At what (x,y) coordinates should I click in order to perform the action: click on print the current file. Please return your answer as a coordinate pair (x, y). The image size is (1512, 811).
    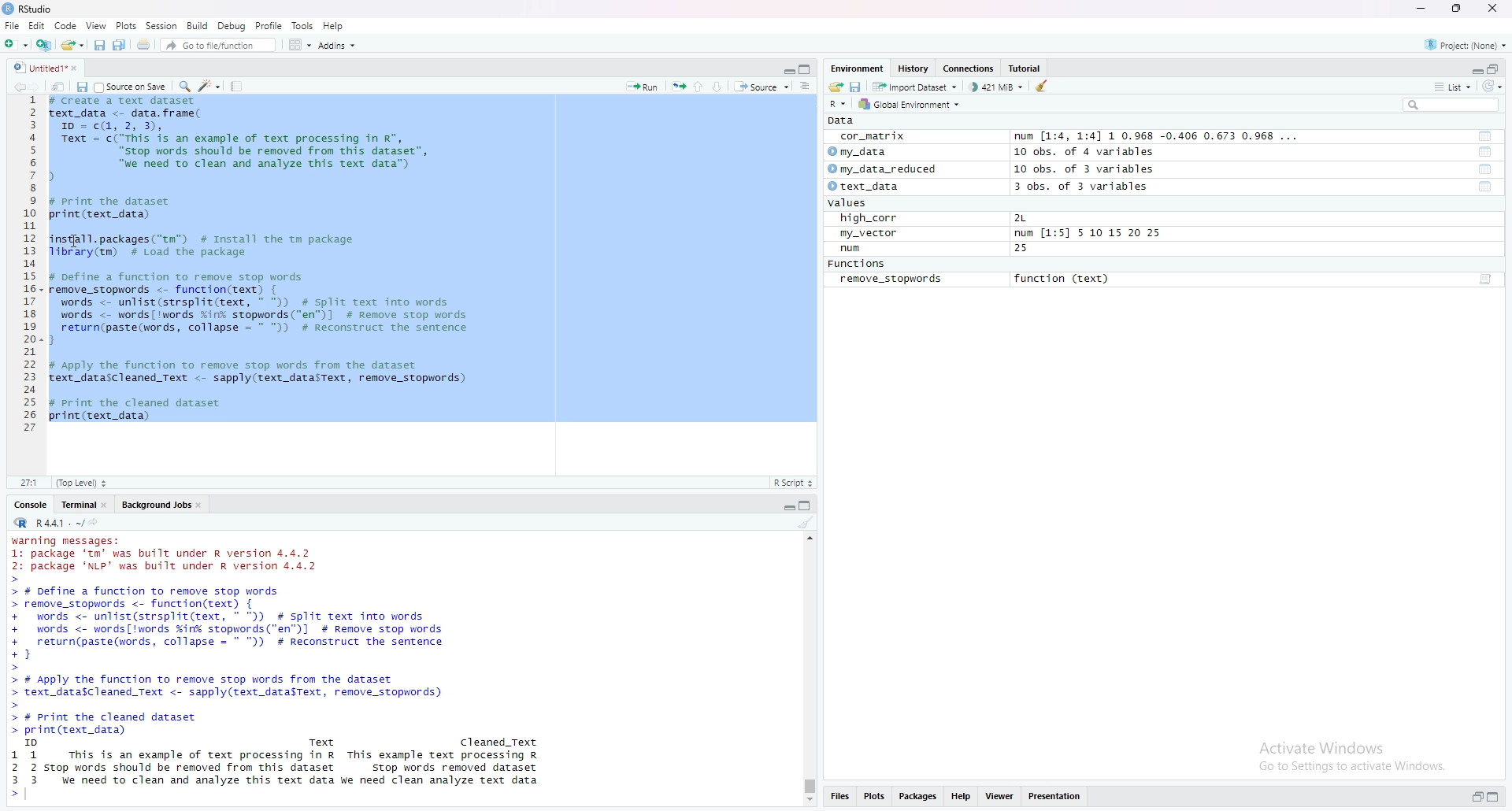
    Looking at the image, I should click on (145, 47).